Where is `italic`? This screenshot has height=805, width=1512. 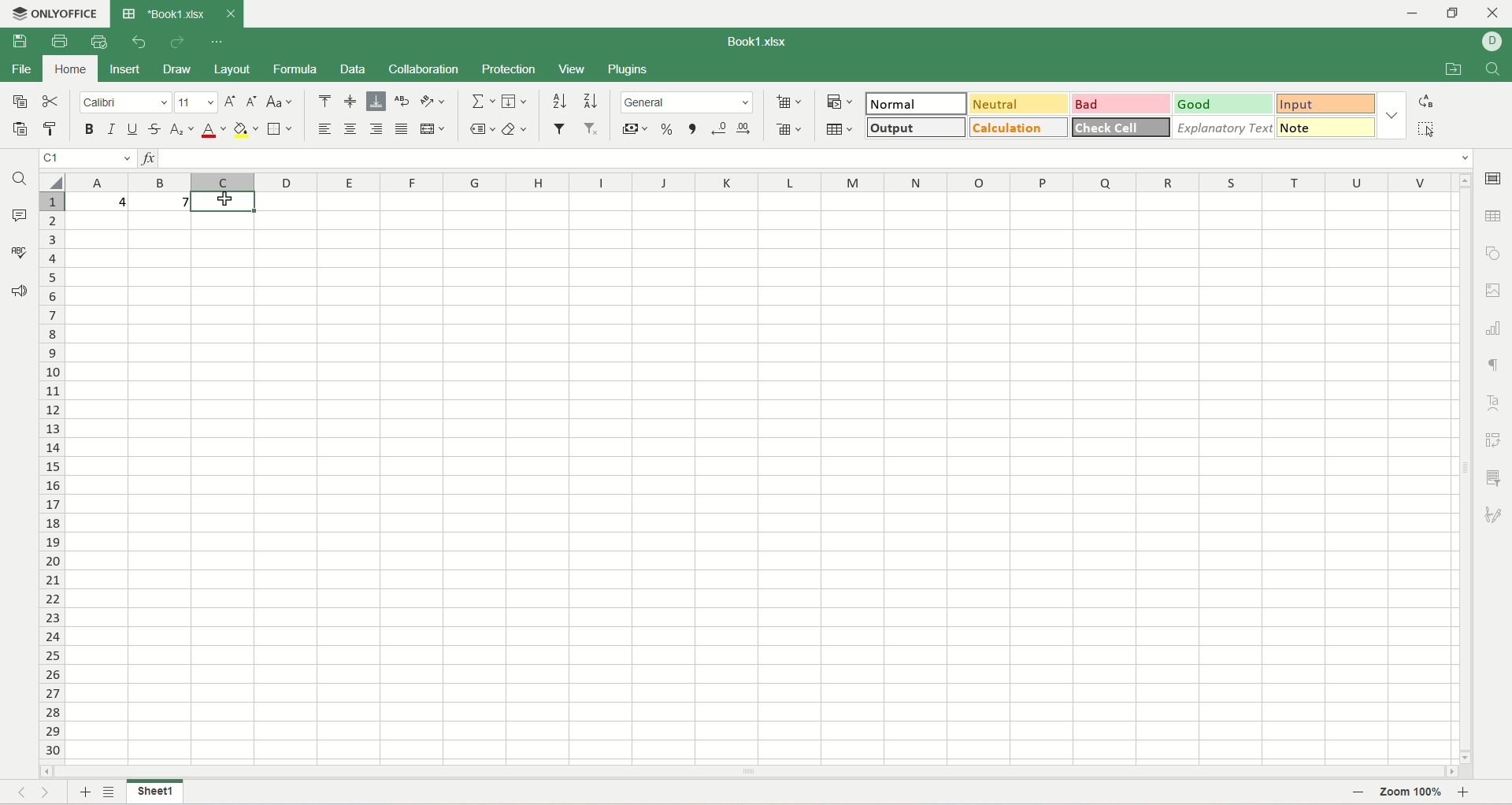 italic is located at coordinates (113, 129).